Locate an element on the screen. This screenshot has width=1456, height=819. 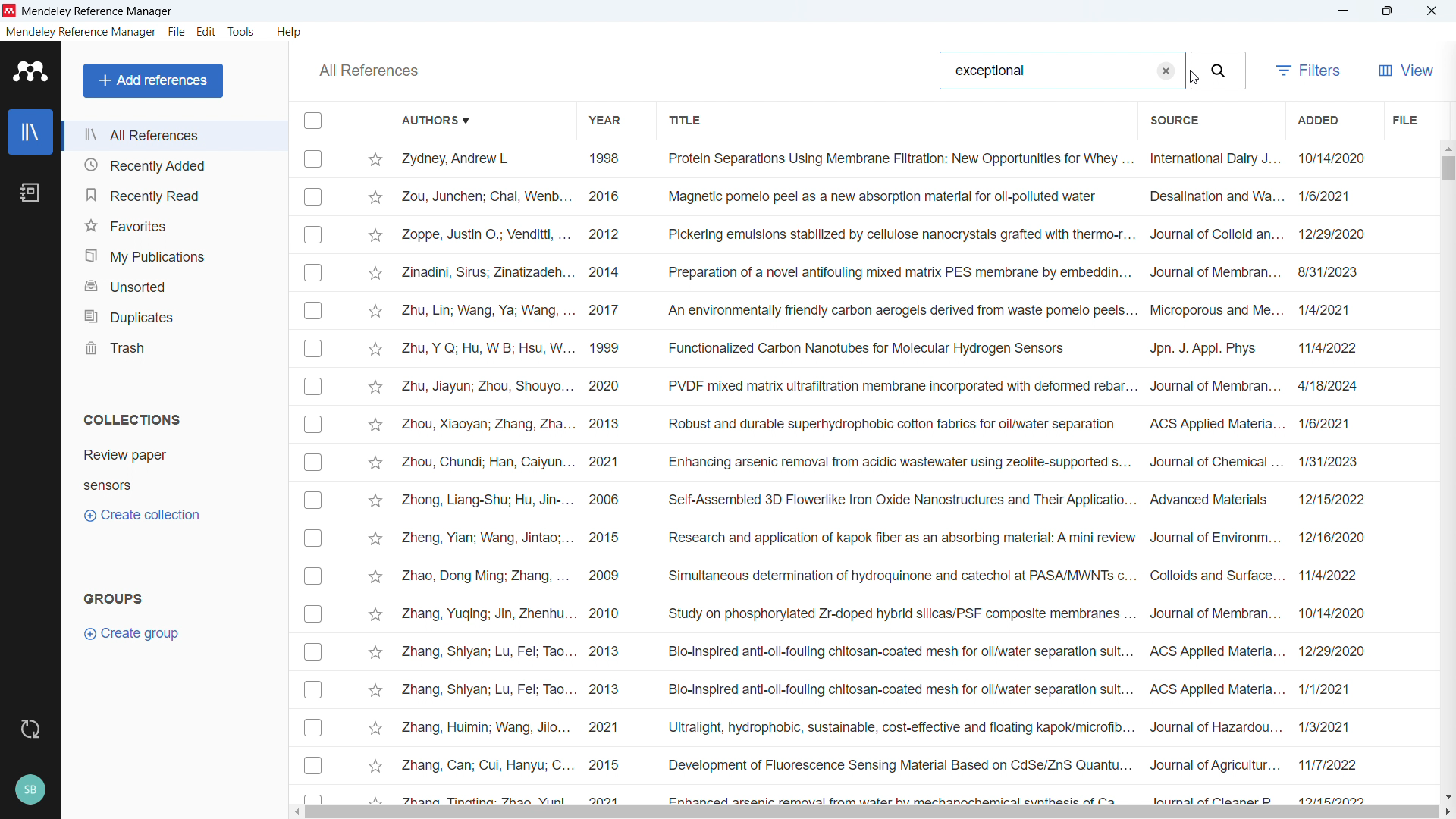
Title of individual entries  is located at coordinates (899, 475).